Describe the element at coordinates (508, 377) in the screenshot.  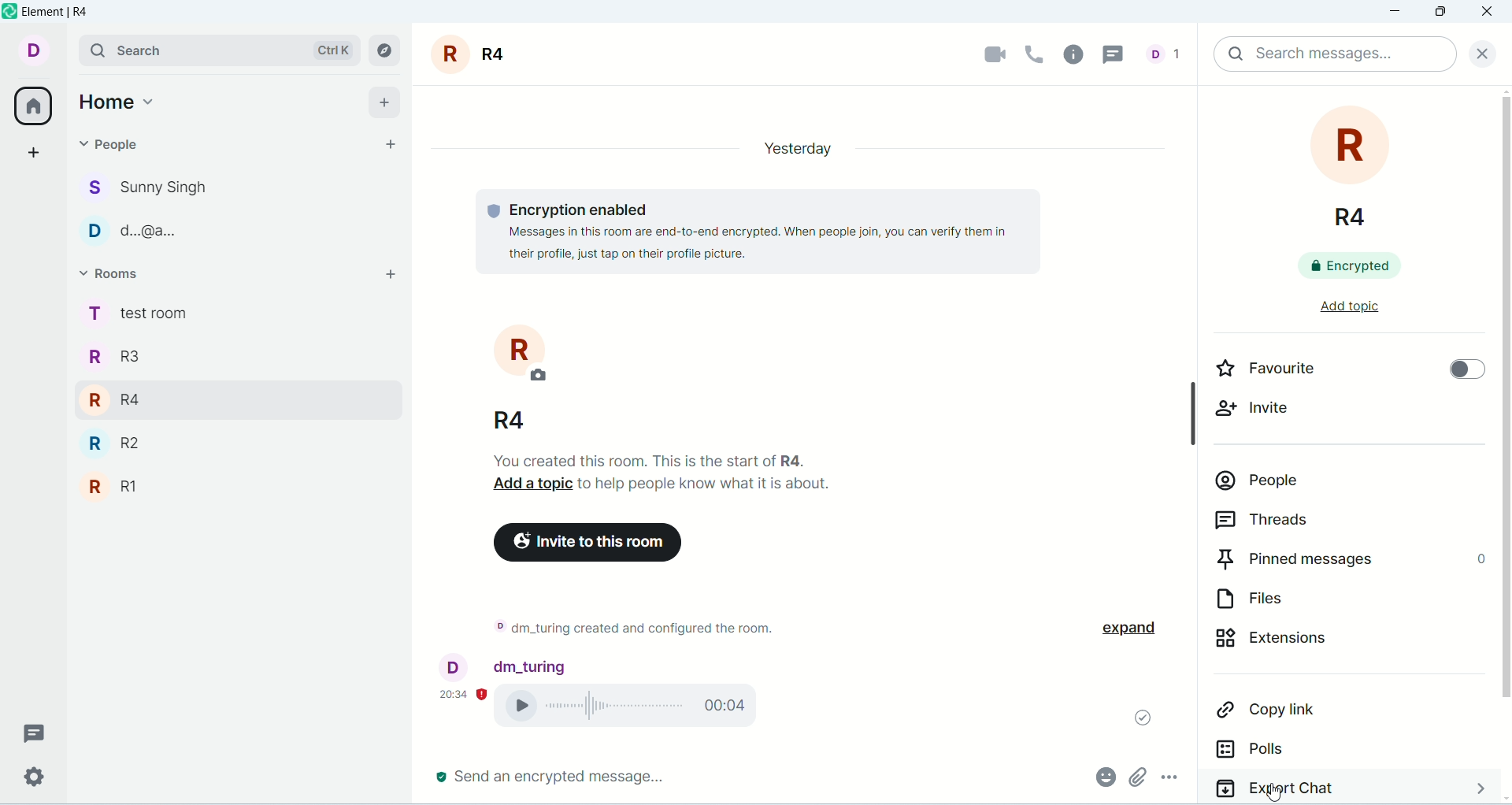
I see `room` at that location.